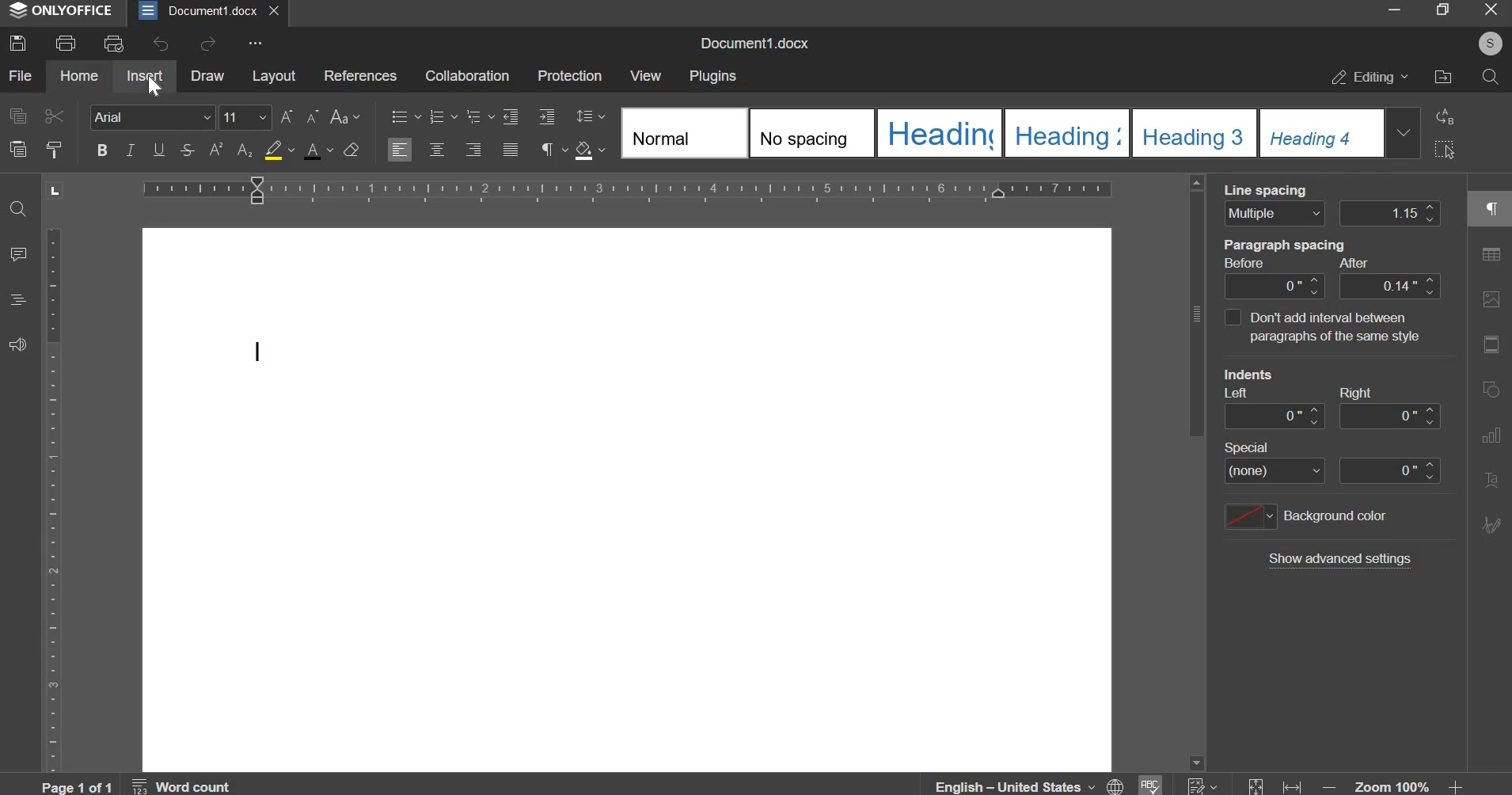 This screenshot has width=1512, height=795. What do you see at coordinates (54, 117) in the screenshot?
I see `cut` at bounding box center [54, 117].